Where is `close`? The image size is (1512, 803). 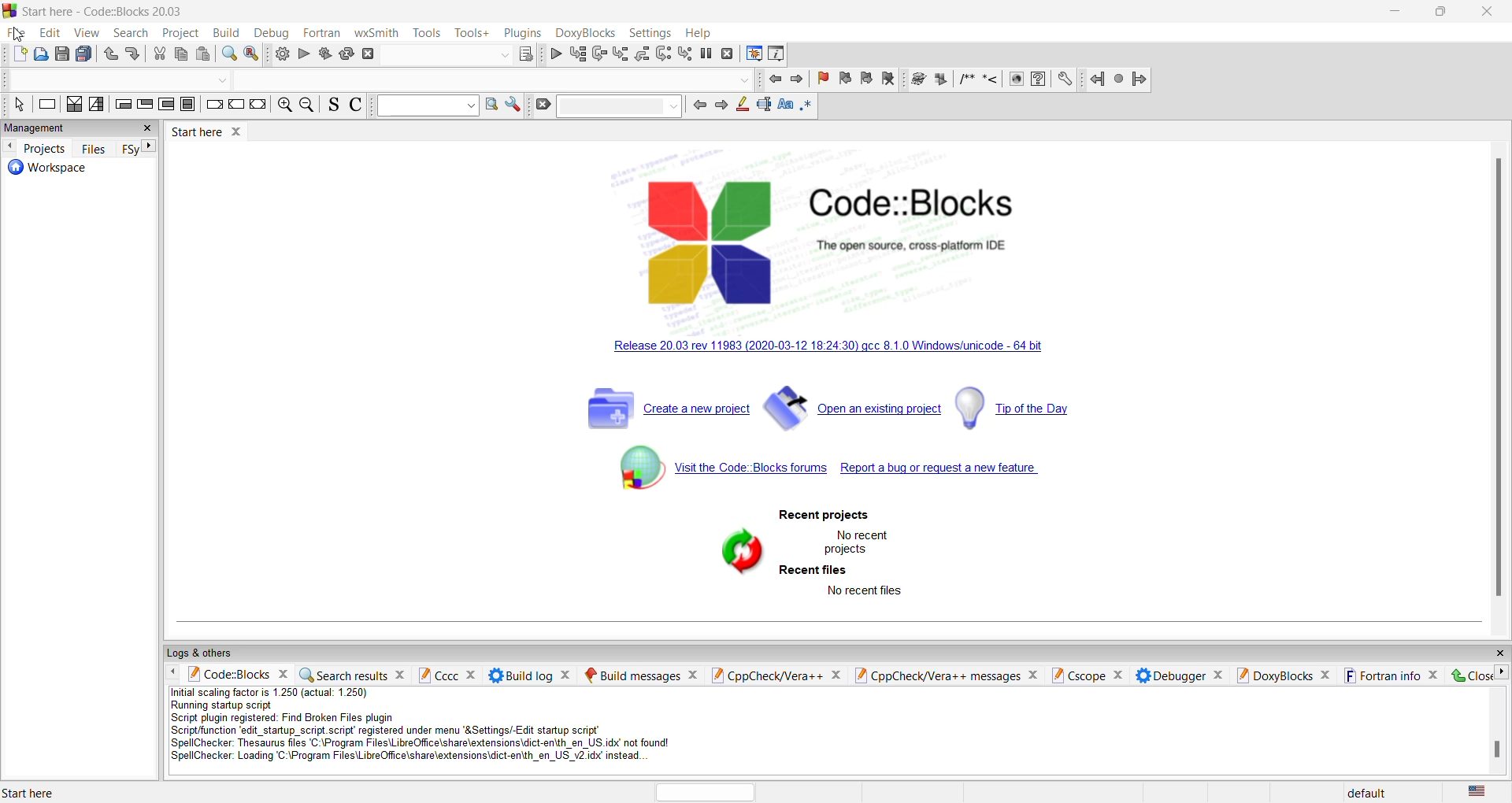 close is located at coordinates (472, 675).